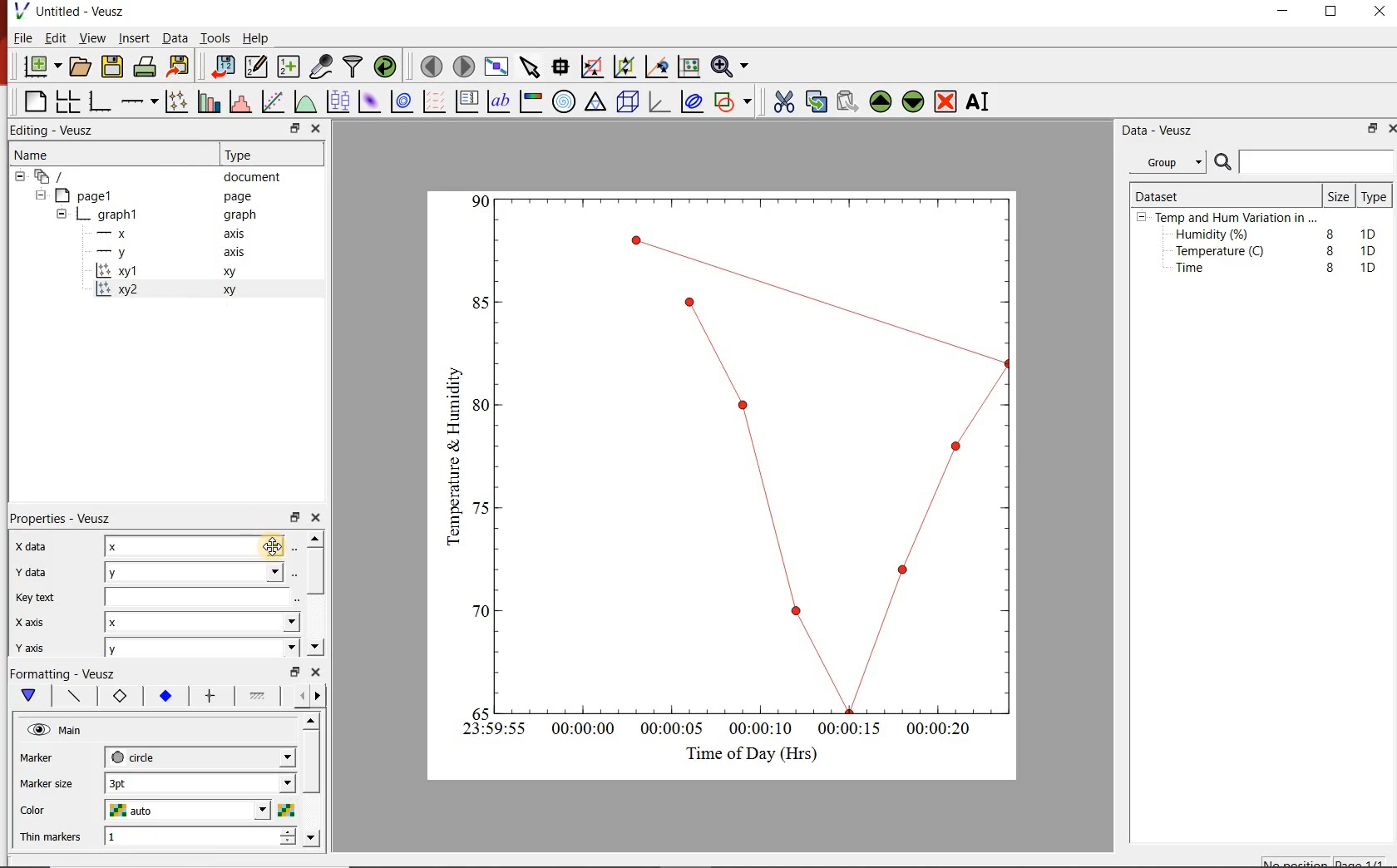  Describe the element at coordinates (176, 100) in the screenshot. I see `Plot points with lines and error bars` at that location.